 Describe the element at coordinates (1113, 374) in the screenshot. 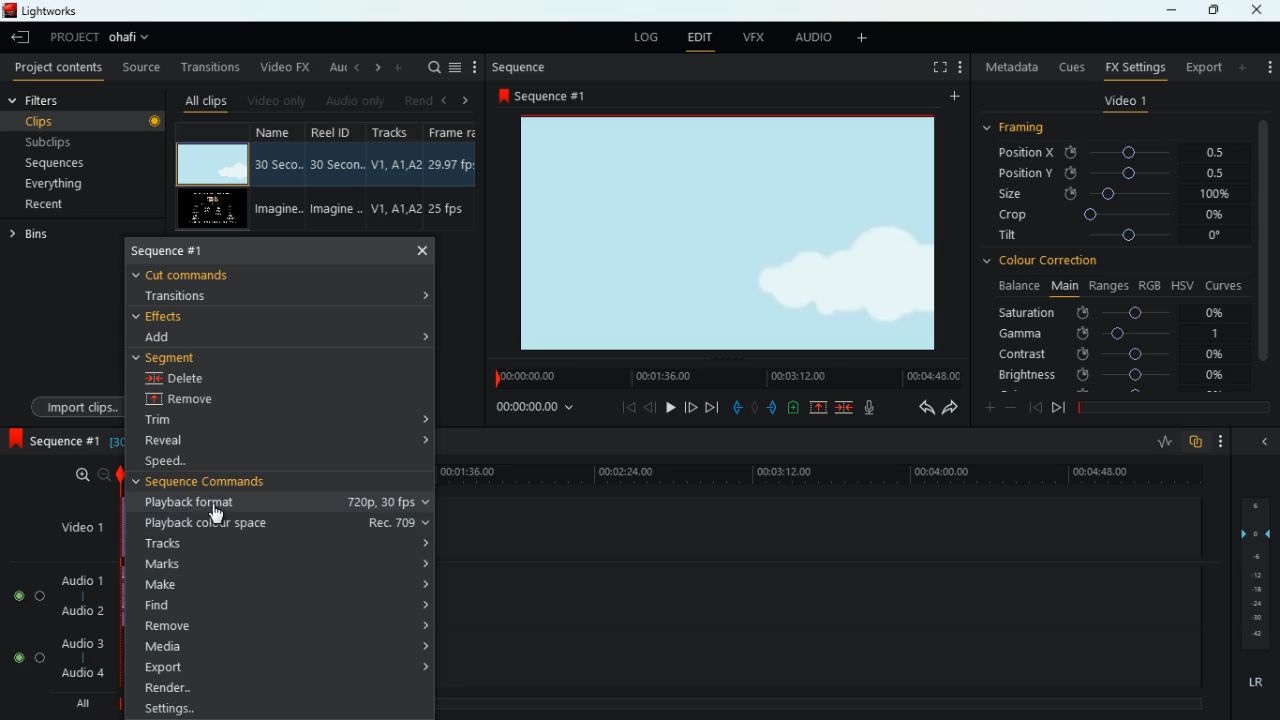

I see `brightness` at that location.